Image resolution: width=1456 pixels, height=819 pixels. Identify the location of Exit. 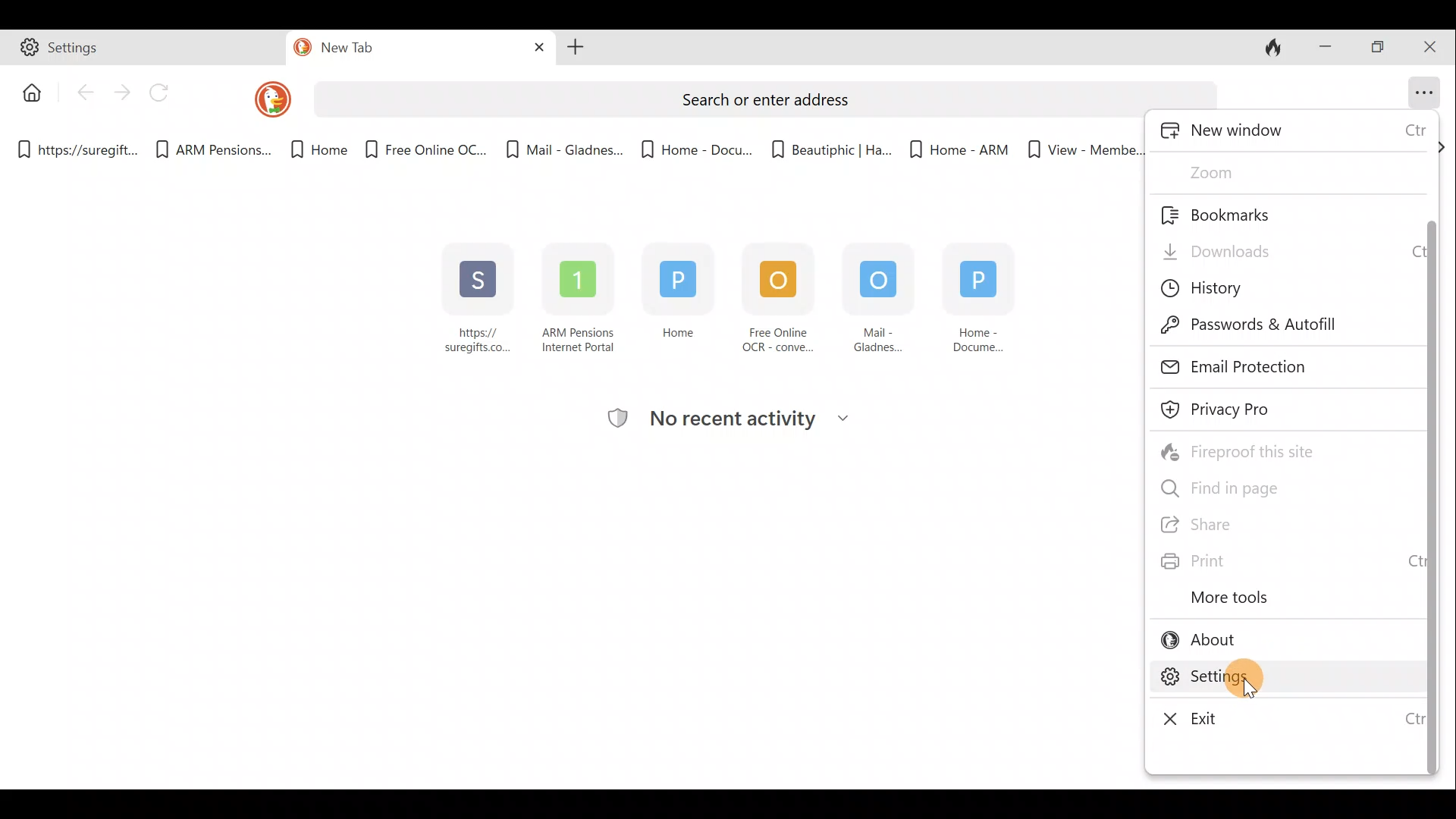
(1187, 714).